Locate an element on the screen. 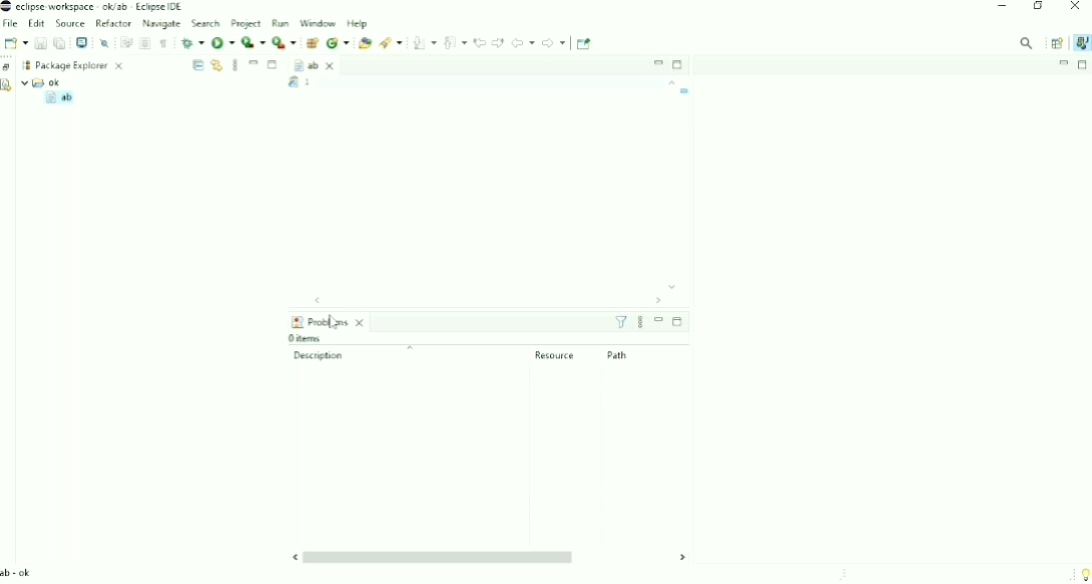 Image resolution: width=1092 pixels, height=584 pixels. ok is located at coordinates (42, 82).